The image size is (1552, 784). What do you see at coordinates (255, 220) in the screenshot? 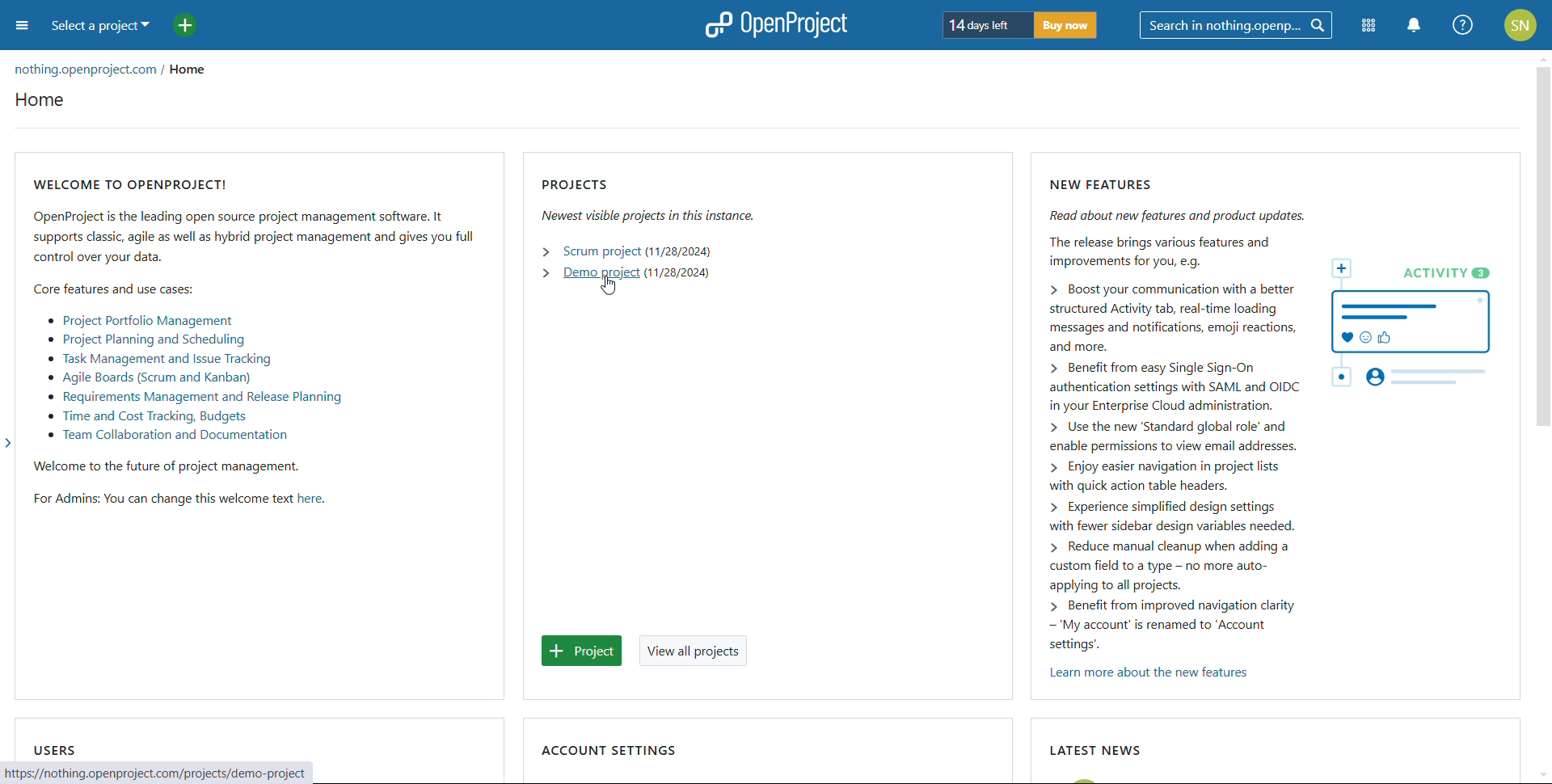
I see `welcome to openproject` at bounding box center [255, 220].